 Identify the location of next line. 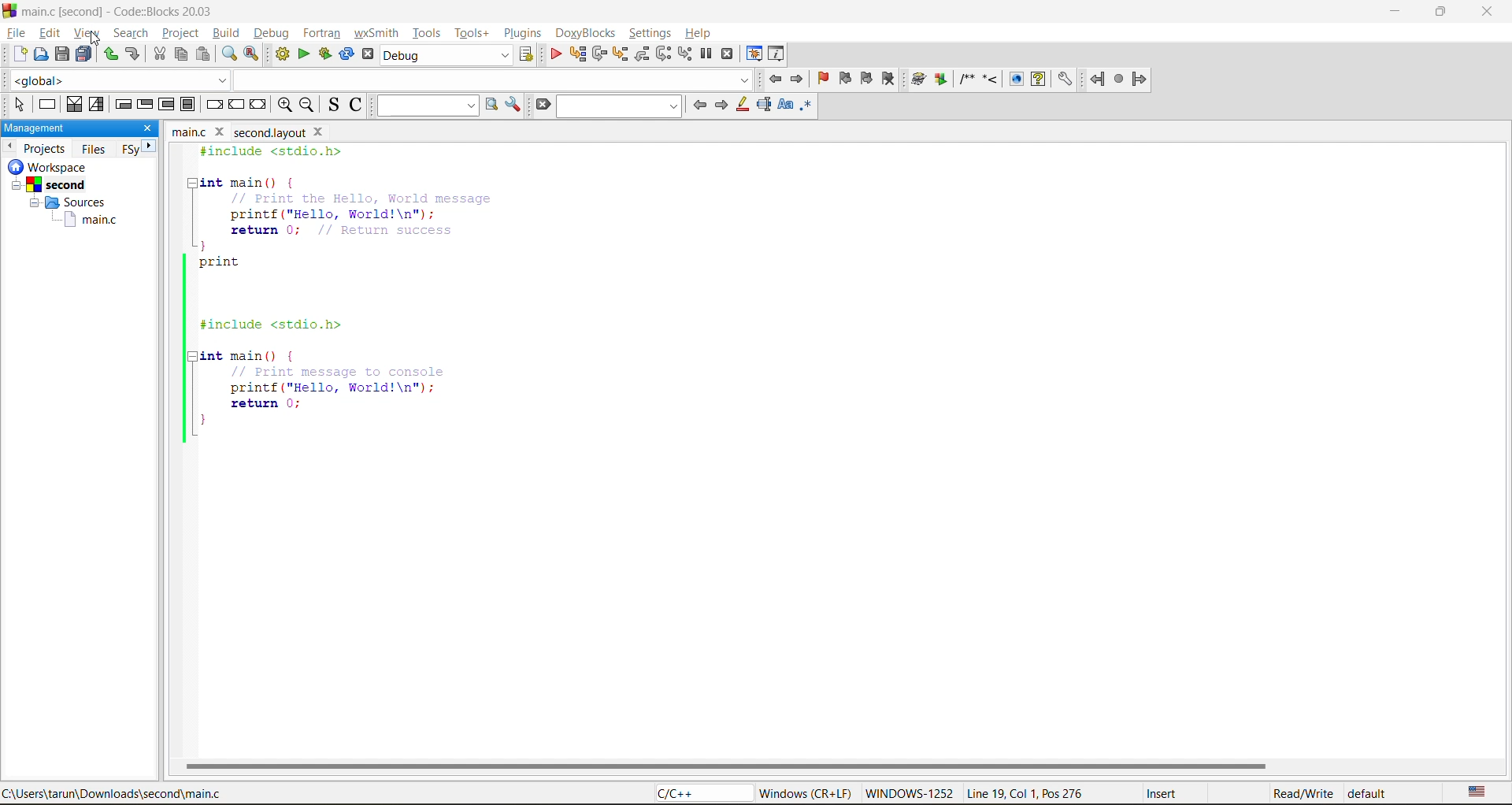
(599, 54).